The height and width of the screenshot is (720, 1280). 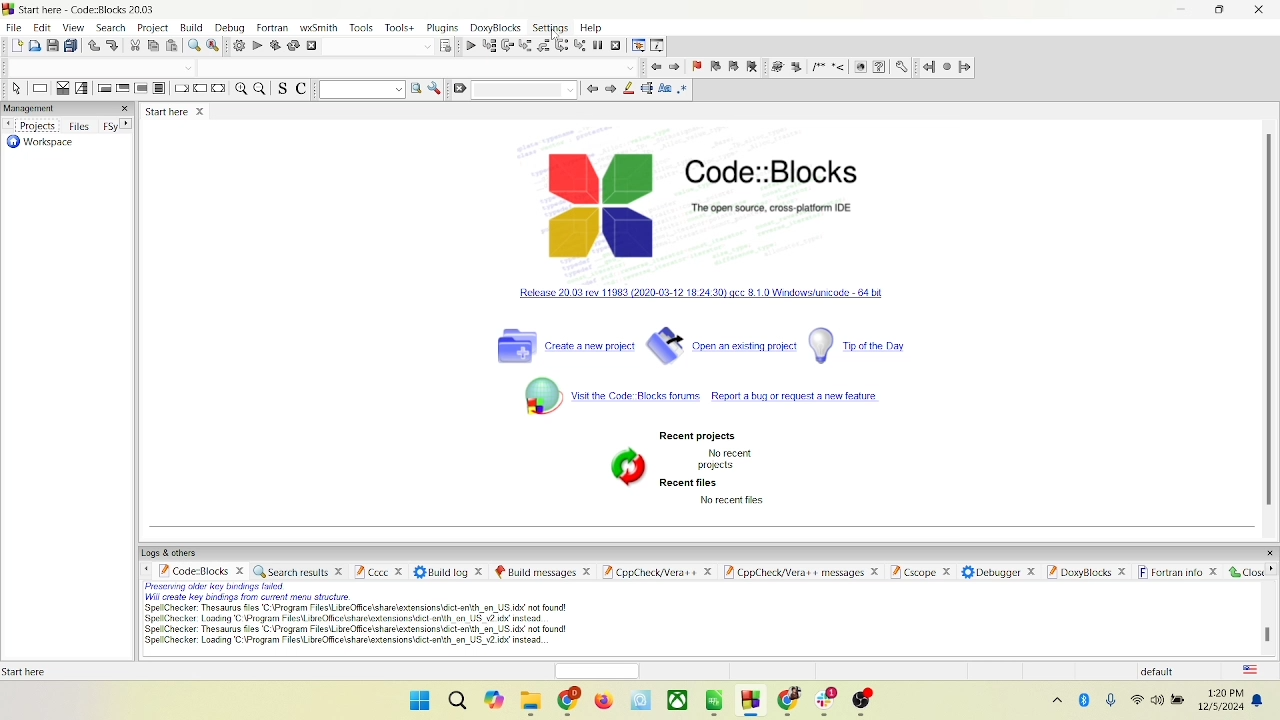 I want to click on selection, so click(x=81, y=88).